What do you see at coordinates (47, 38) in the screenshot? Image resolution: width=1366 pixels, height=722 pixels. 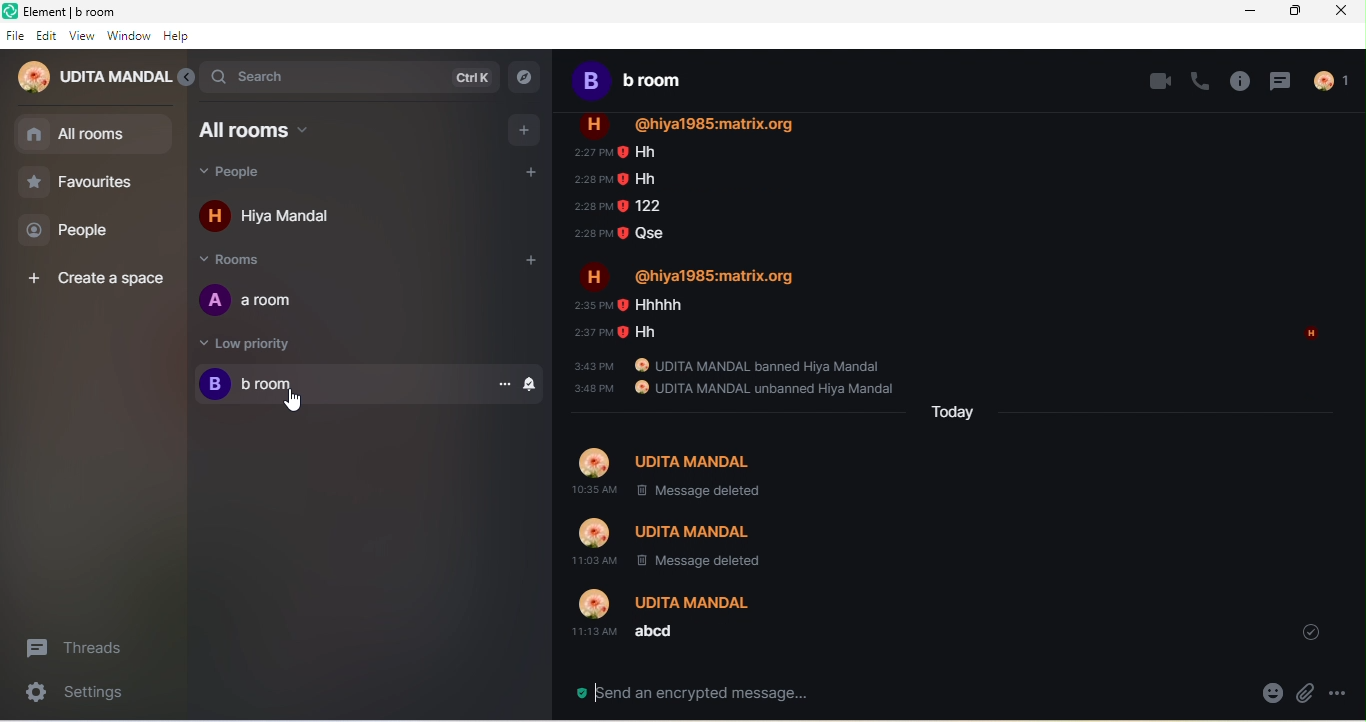 I see `edit` at bounding box center [47, 38].